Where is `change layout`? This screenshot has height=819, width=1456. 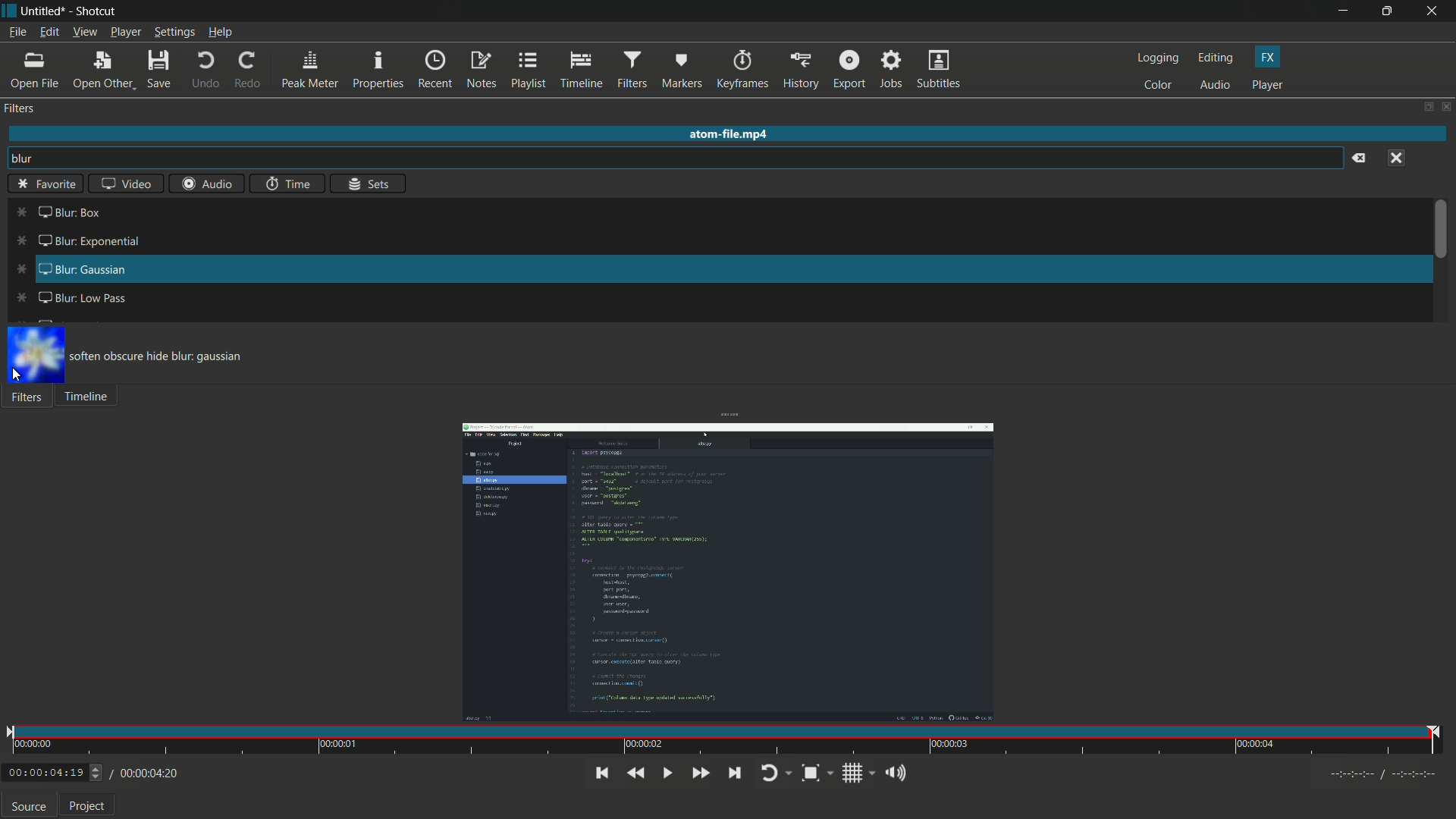
change layout is located at coordinates (1423, 106).